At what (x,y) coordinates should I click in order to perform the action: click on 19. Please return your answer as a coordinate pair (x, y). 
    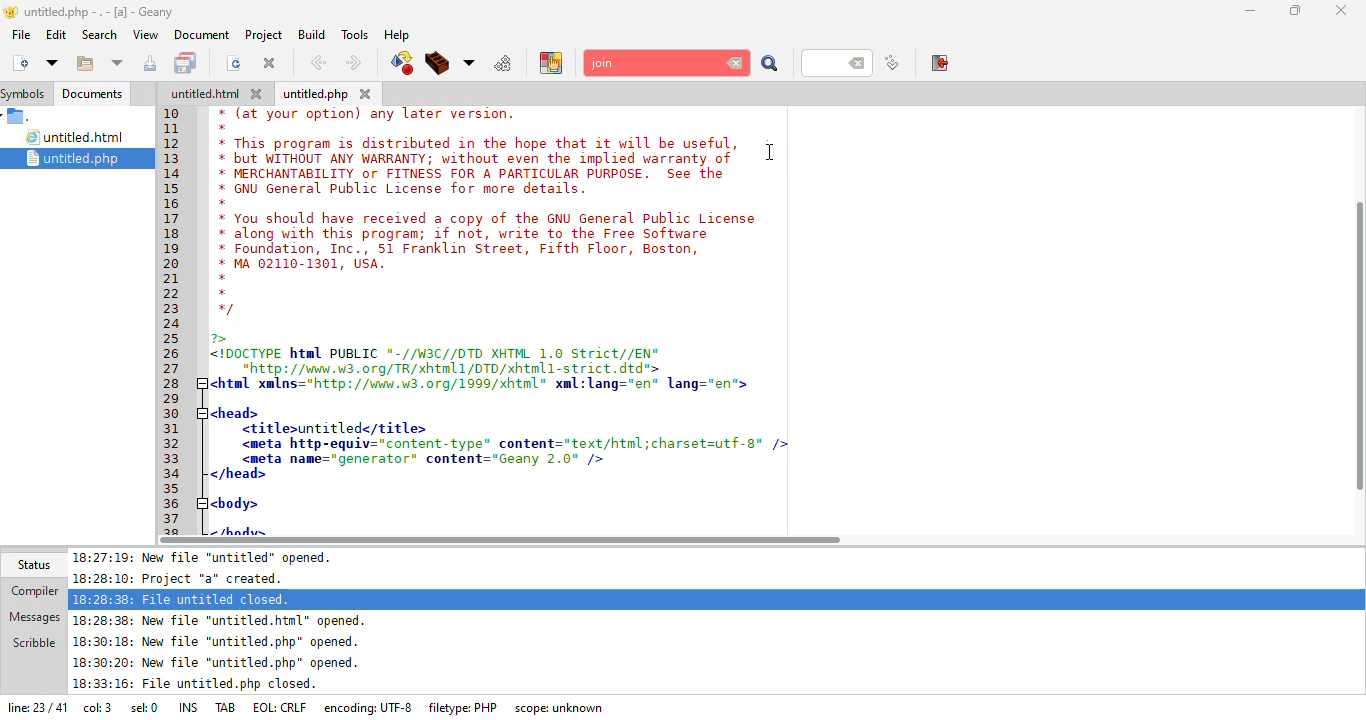
    Looking at the image, I should click on (174, 247).